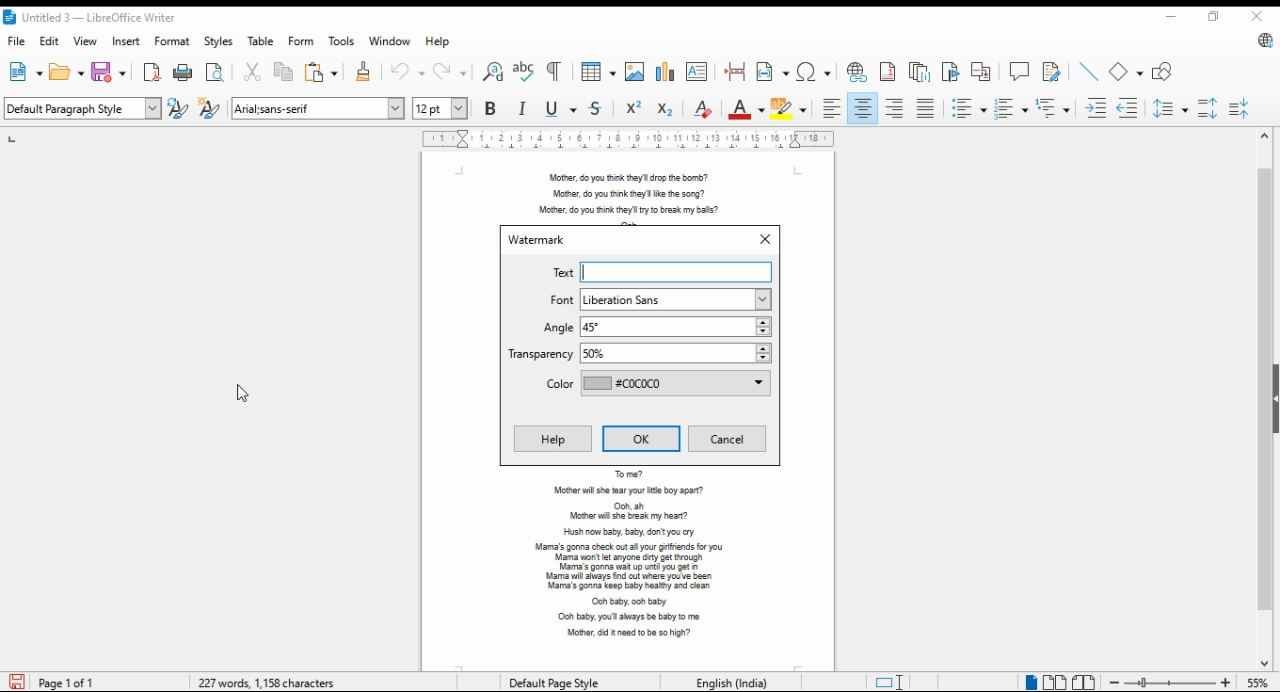 The image size is (1280, 692). Describe the element at coordinates (542, 241) in the screenshot. I see `watermark window` at that location.